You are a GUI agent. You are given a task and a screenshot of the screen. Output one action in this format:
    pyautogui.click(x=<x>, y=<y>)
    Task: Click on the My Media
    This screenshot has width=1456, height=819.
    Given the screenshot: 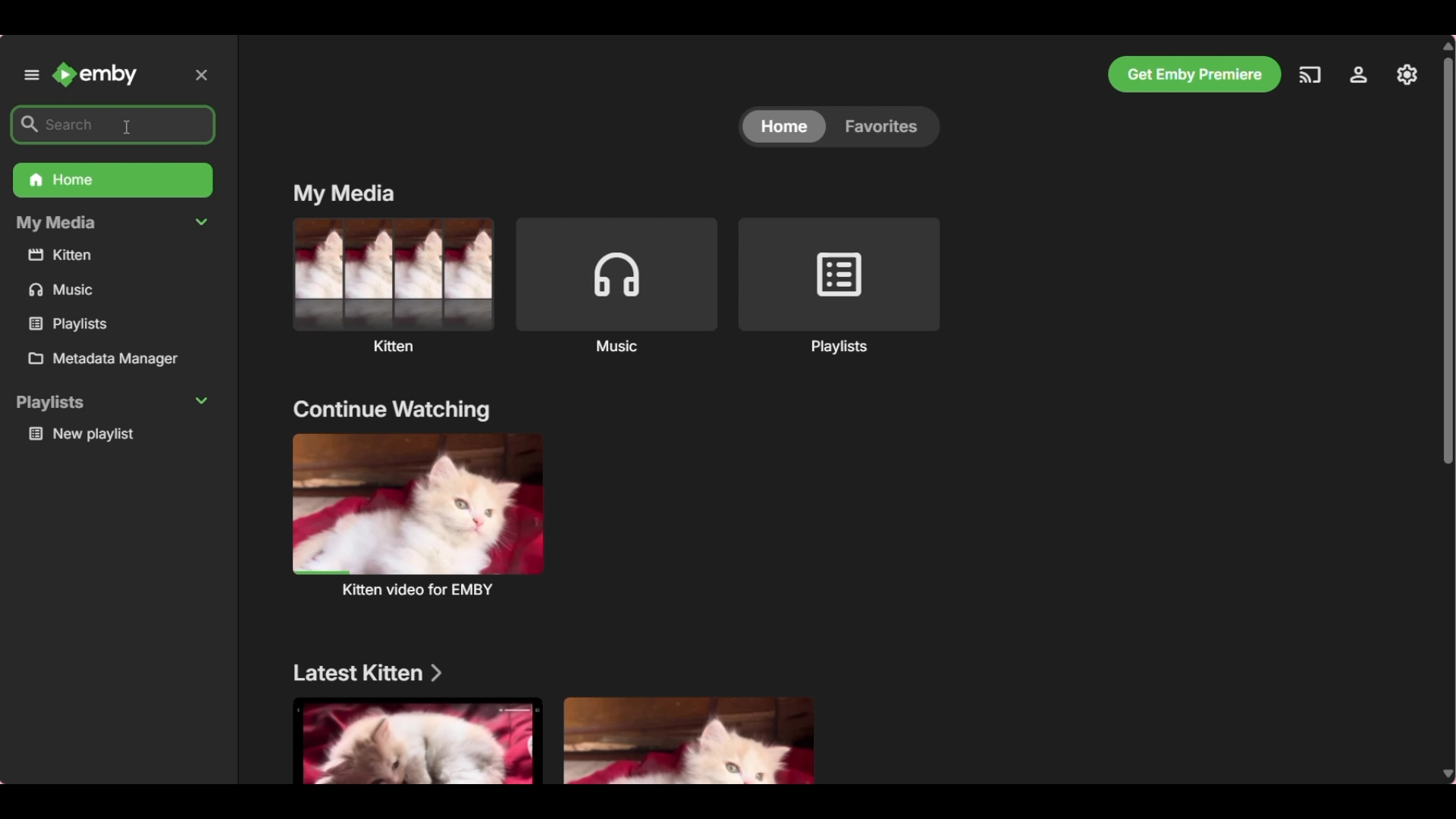 What is the action you would take?
    pyautogui.click(x=111, y=224)
    